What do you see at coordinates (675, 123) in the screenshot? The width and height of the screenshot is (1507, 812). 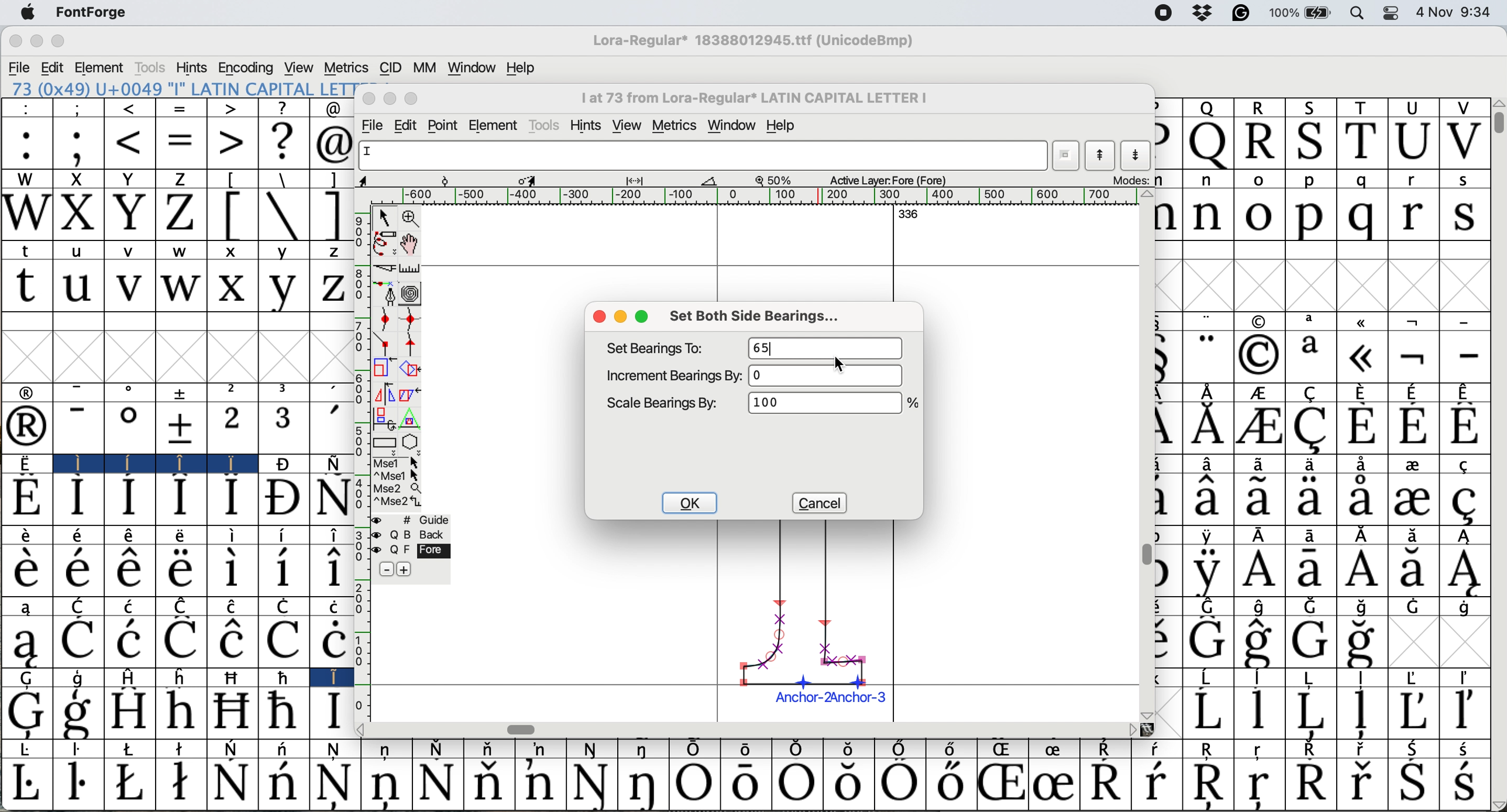 I see `metrics` at bounding box center [675, 123].